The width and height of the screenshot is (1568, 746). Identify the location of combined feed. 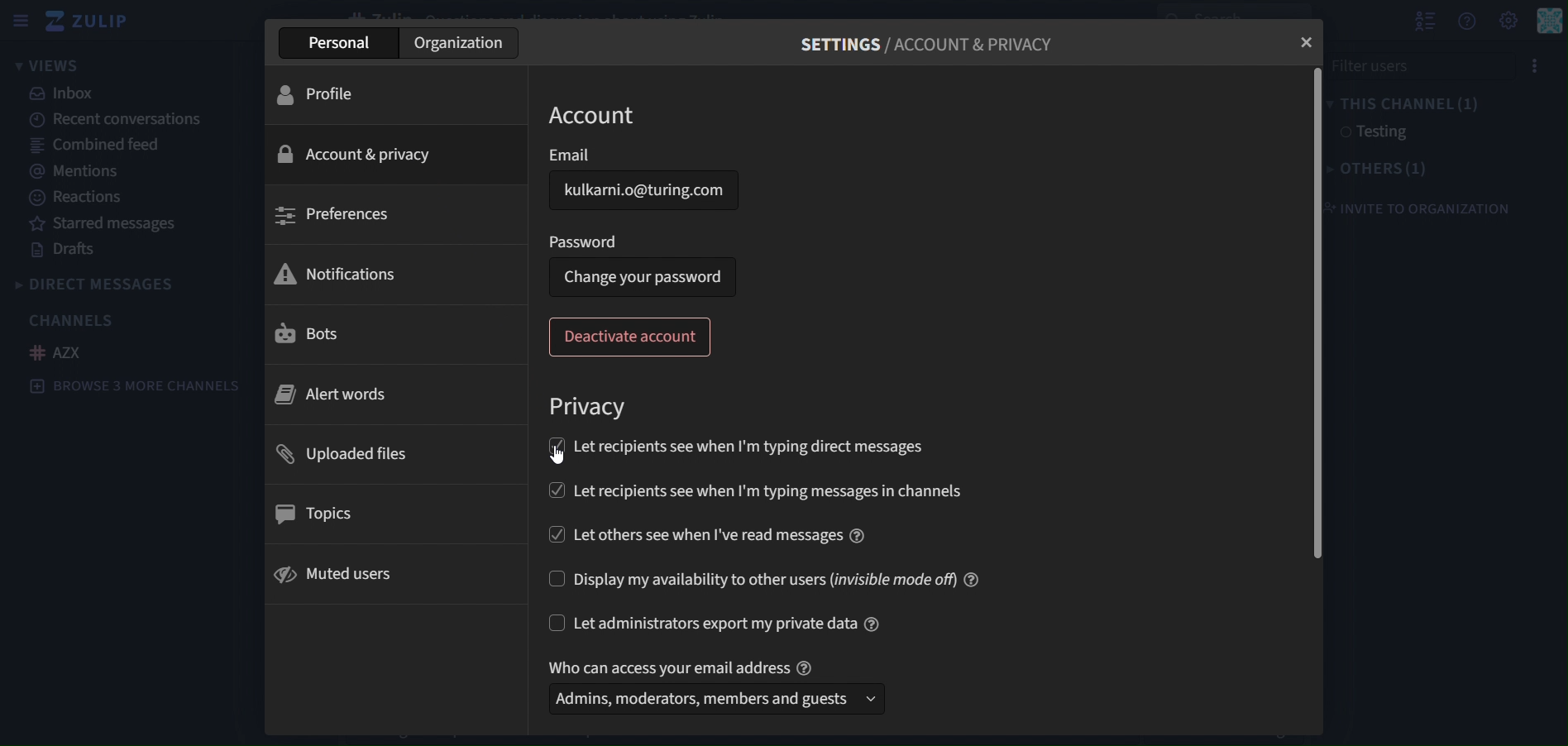
(97, 146).